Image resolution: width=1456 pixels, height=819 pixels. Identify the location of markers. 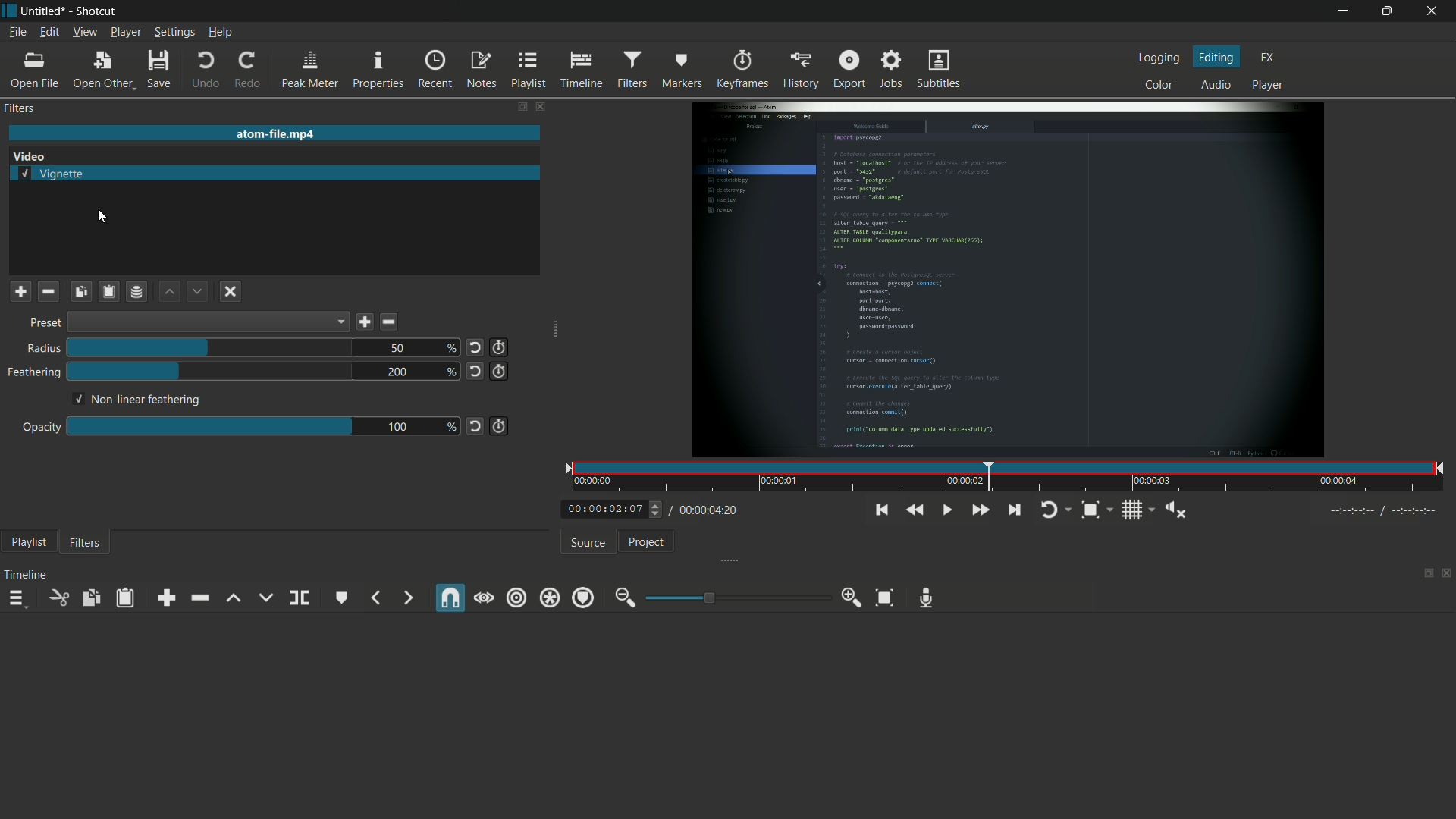
(681, 71).